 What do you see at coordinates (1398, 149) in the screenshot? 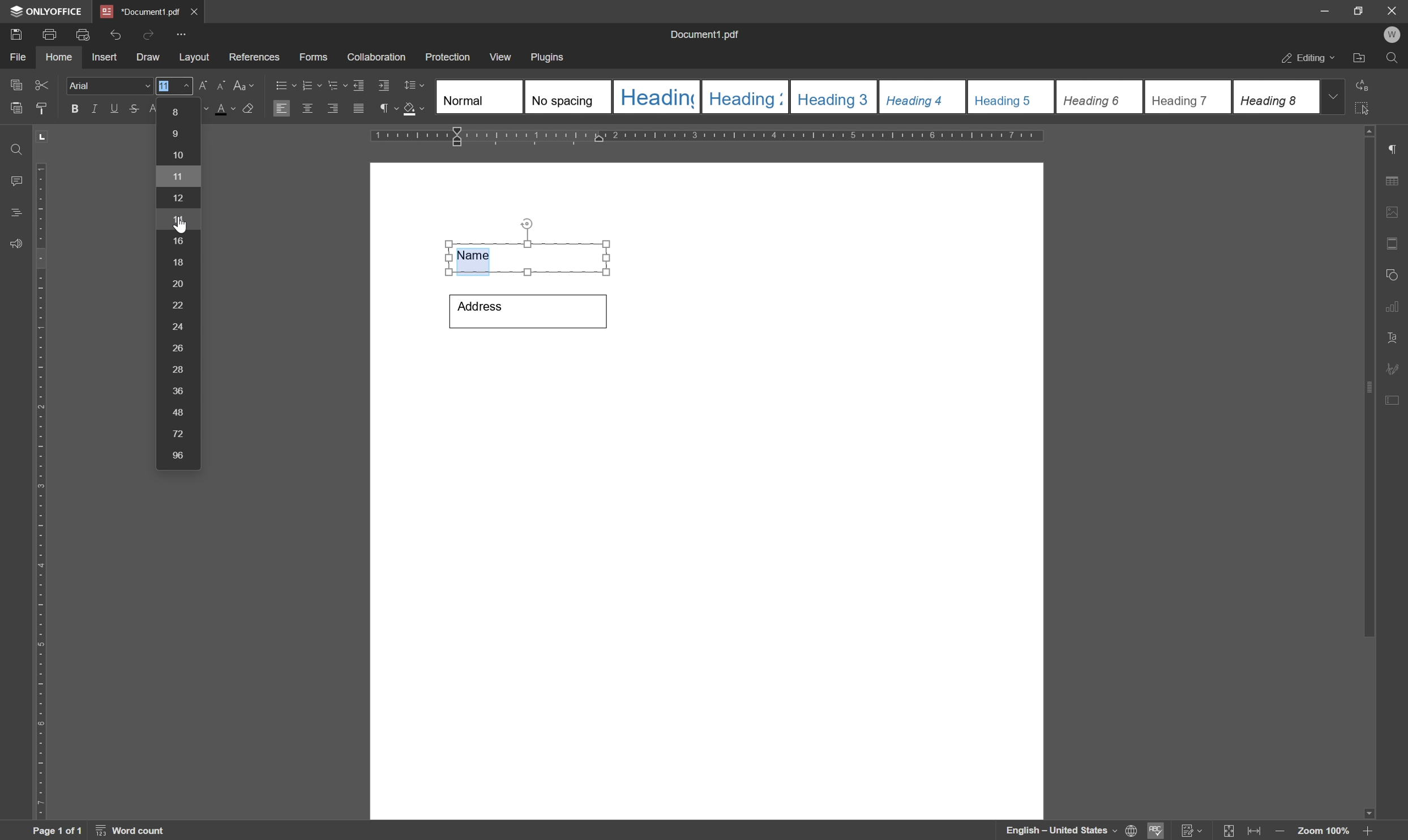
I see `paragraph settings` at bounding box center [1398, 149].